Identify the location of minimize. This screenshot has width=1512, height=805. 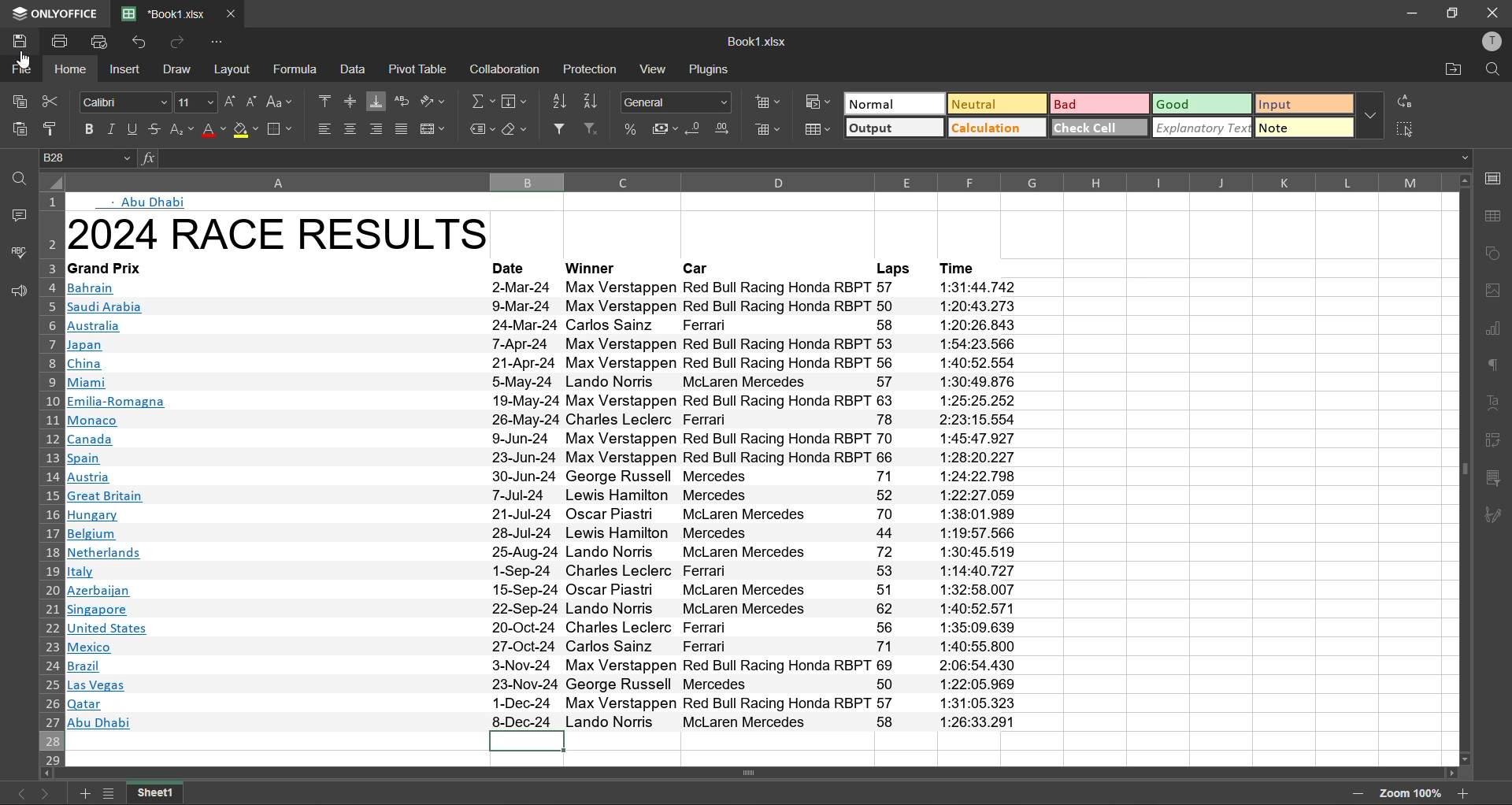
(1410, 13).